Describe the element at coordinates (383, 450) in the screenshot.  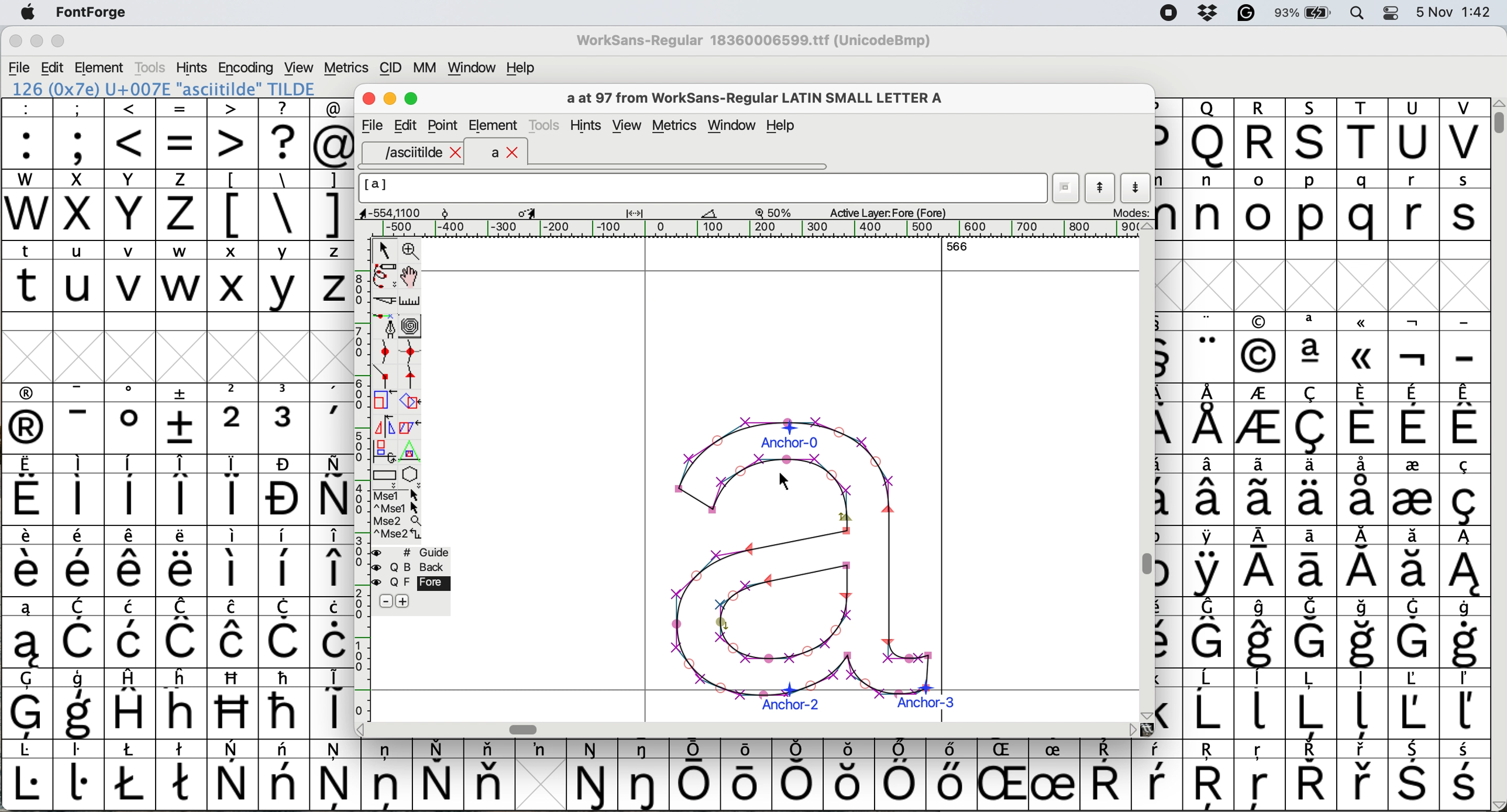
I see `rotat object in 3d and project back to plane` at that location.